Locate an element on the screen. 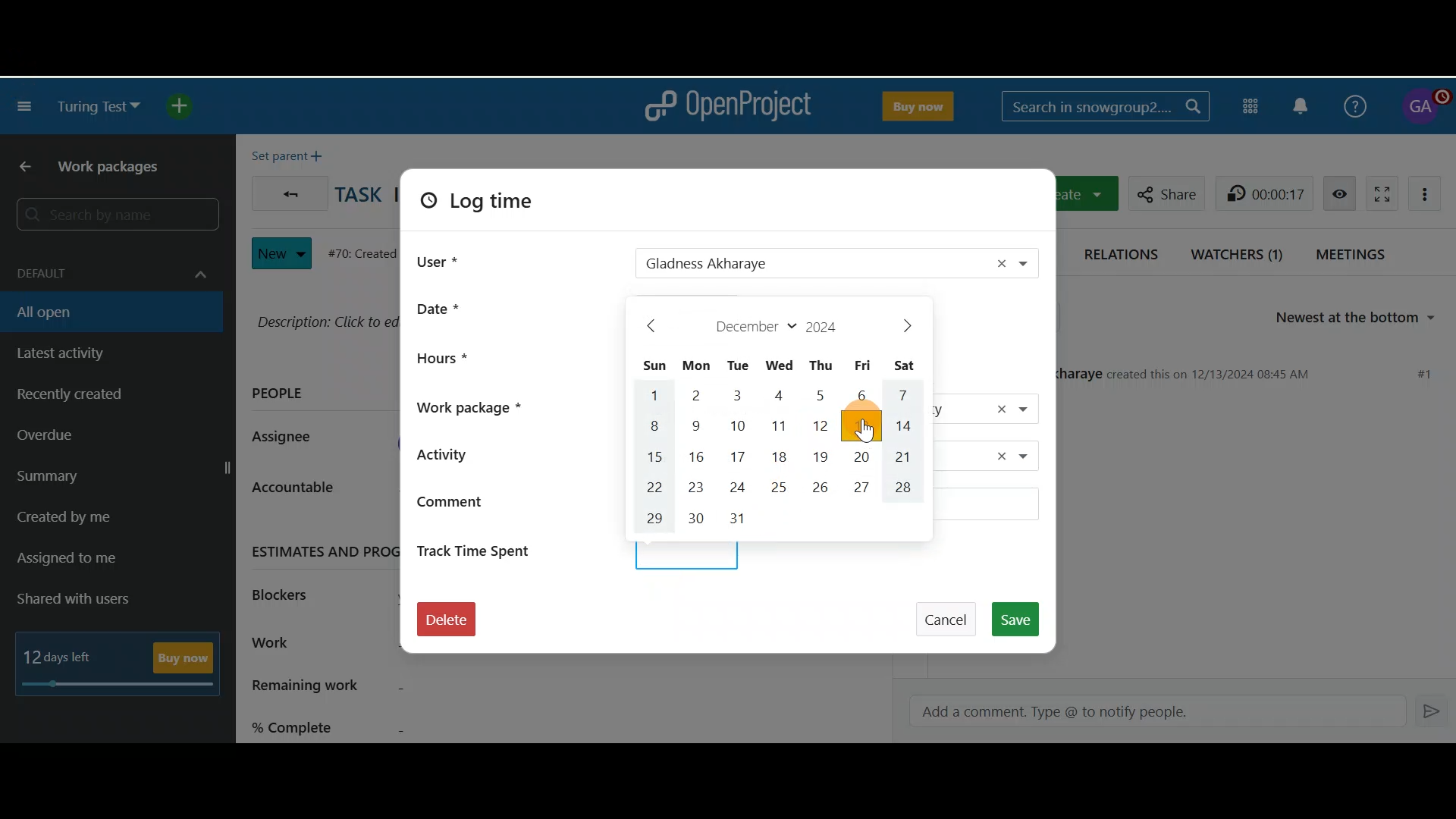  Collapse project menu is located at coordinates (26, 108).